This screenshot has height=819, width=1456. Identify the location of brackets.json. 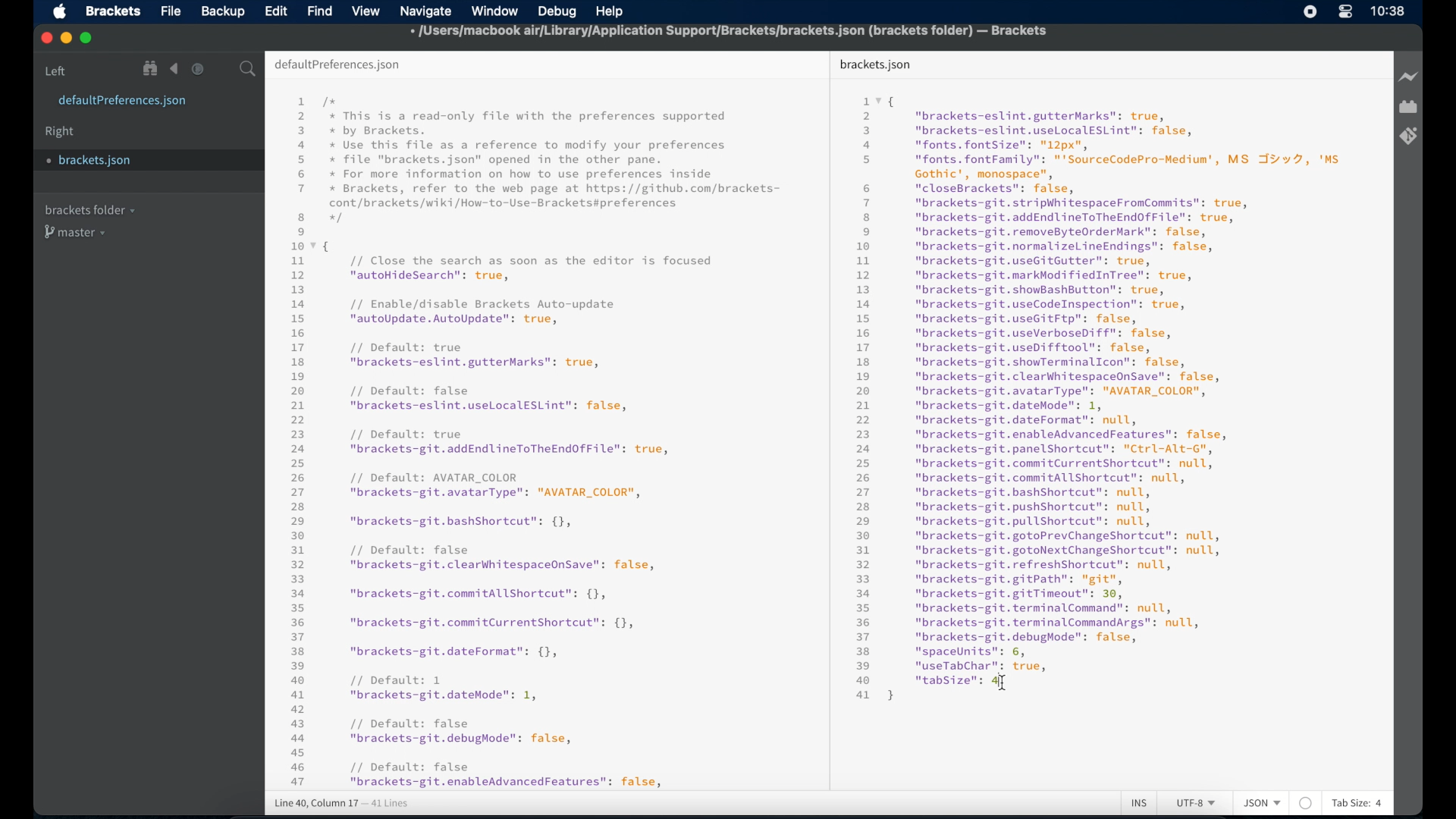
(96, 161).